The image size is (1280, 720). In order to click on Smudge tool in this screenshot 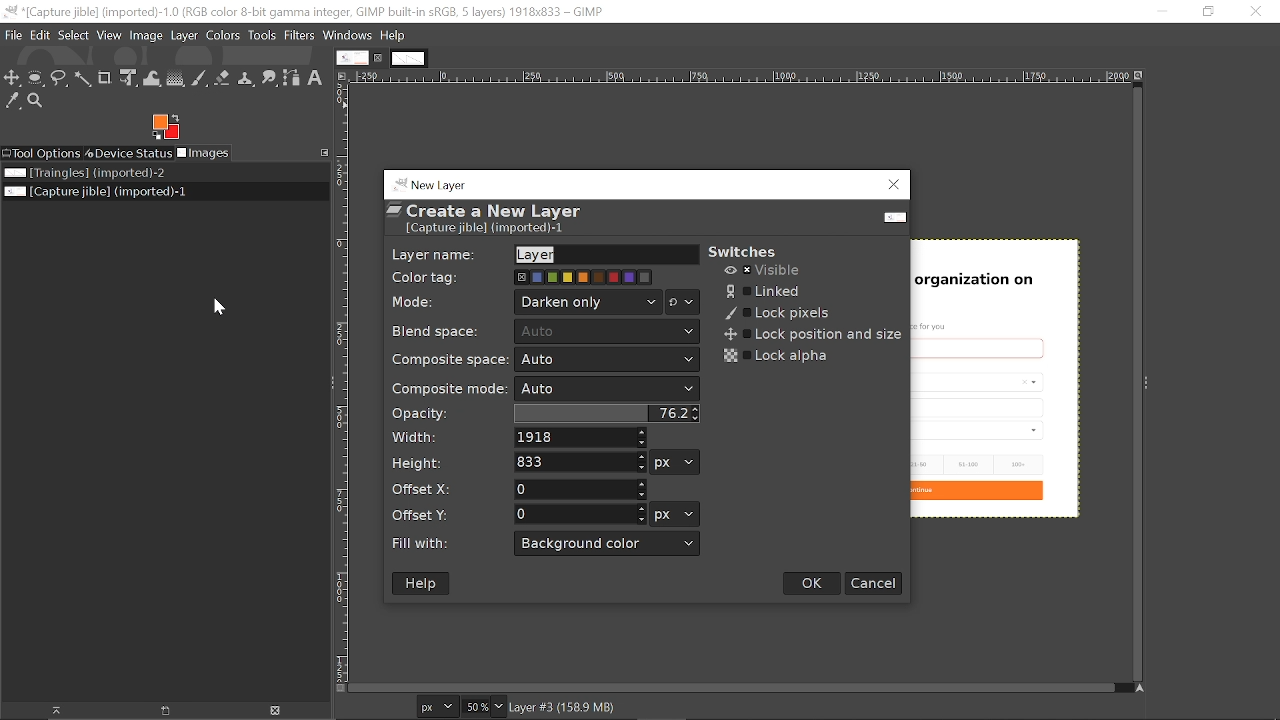, I will do `click(270, 77)`.